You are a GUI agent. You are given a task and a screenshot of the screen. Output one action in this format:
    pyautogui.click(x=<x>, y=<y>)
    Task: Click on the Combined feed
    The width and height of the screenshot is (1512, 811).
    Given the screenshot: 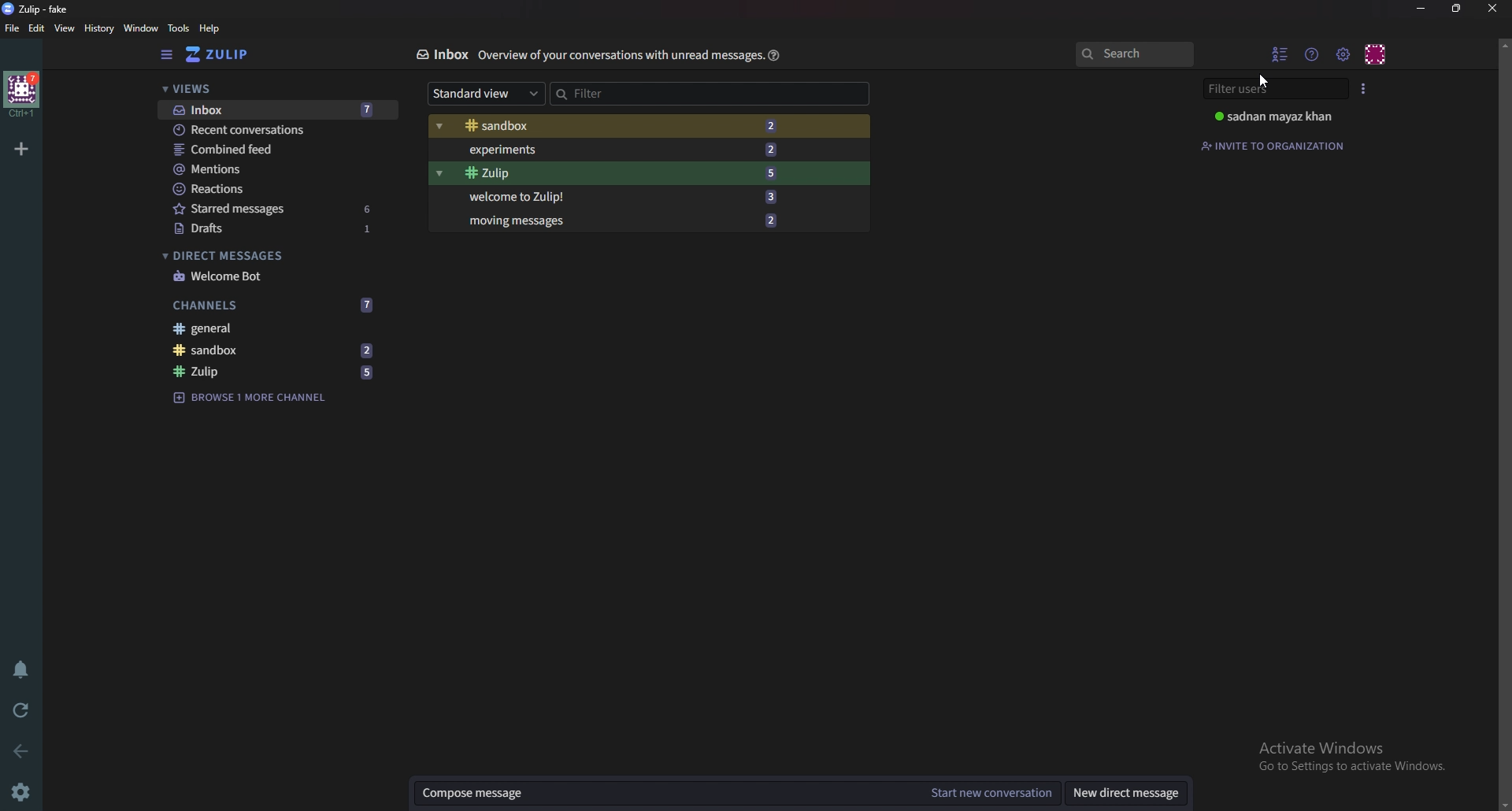 What is the action you would take?
    pyautogui.click(x=280, y=149)
    